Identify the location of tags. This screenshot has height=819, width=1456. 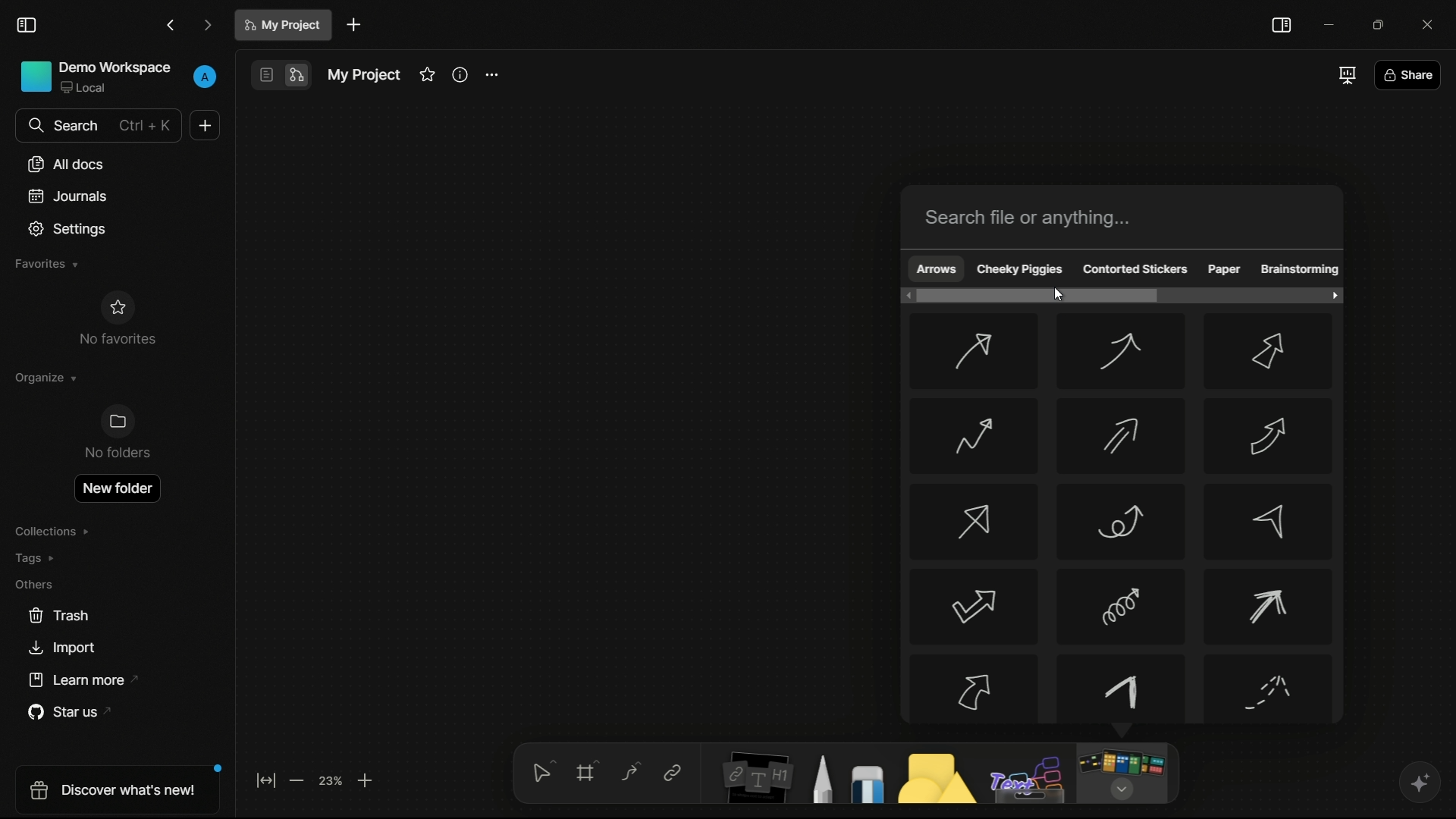
(36, 558).